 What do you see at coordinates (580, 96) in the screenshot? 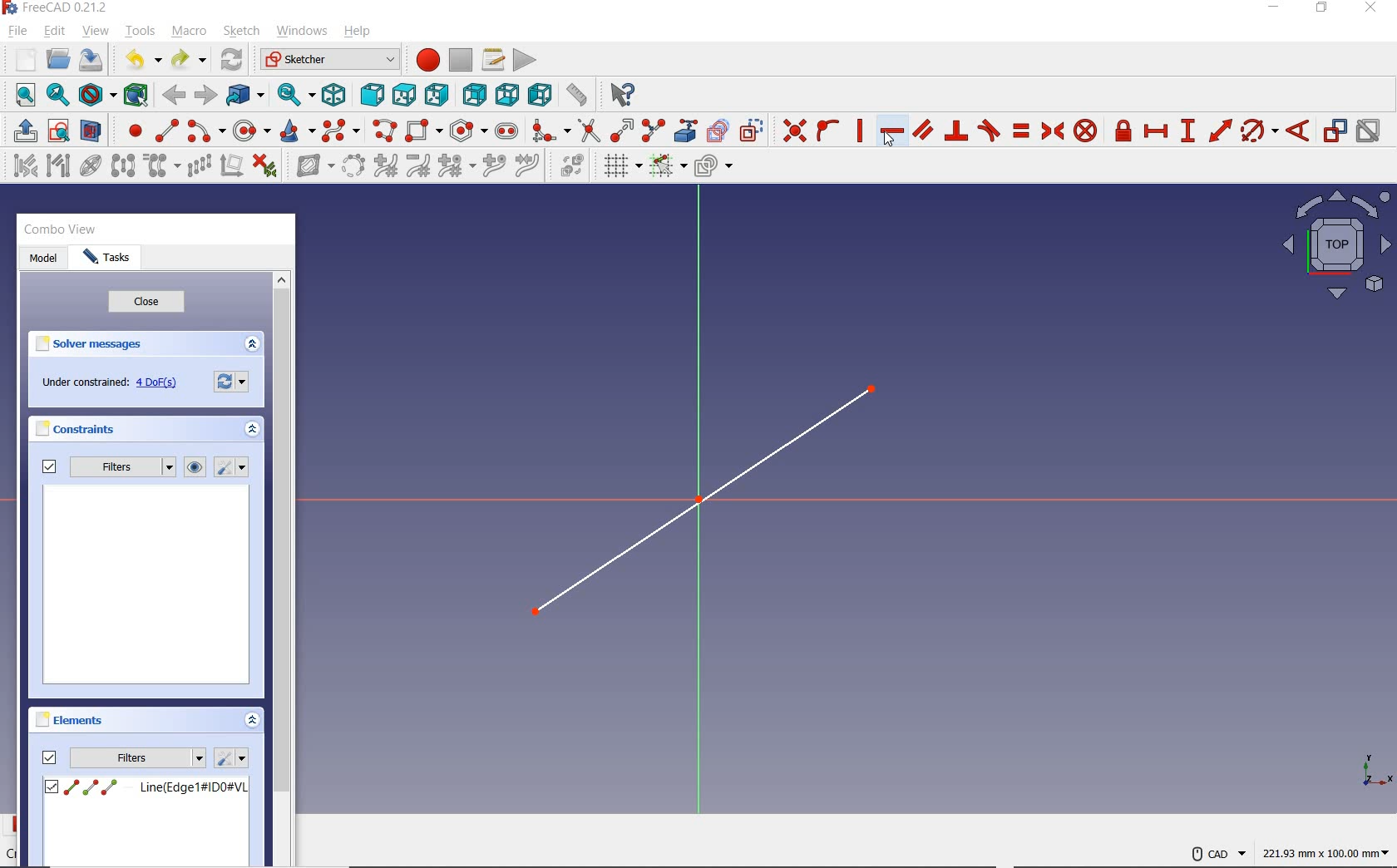
I see `MEASURE DISTANCE` at bounding box center [580, 96].